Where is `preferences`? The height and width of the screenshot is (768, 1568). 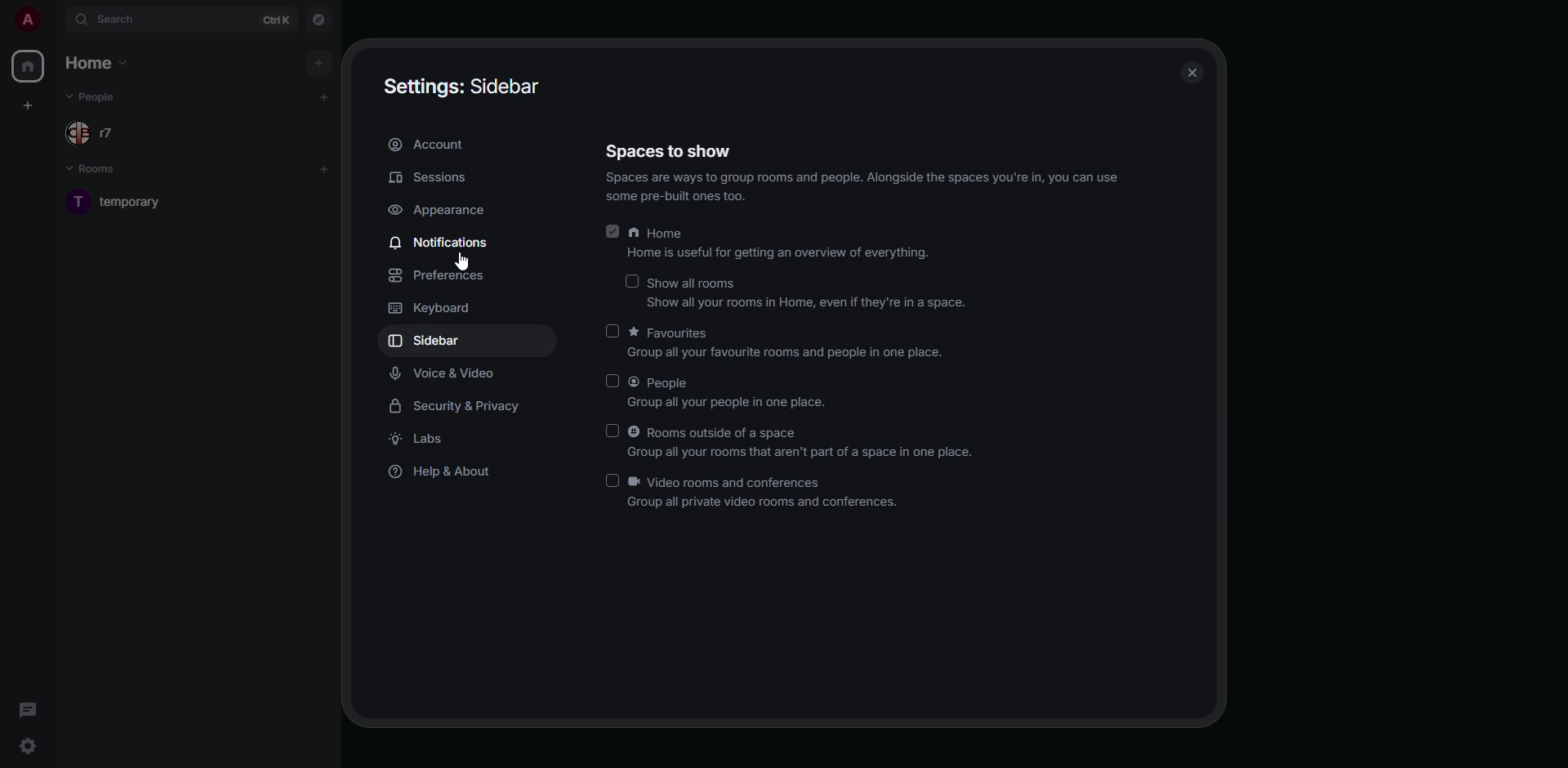
preferences is located at coordinates (441, 276).